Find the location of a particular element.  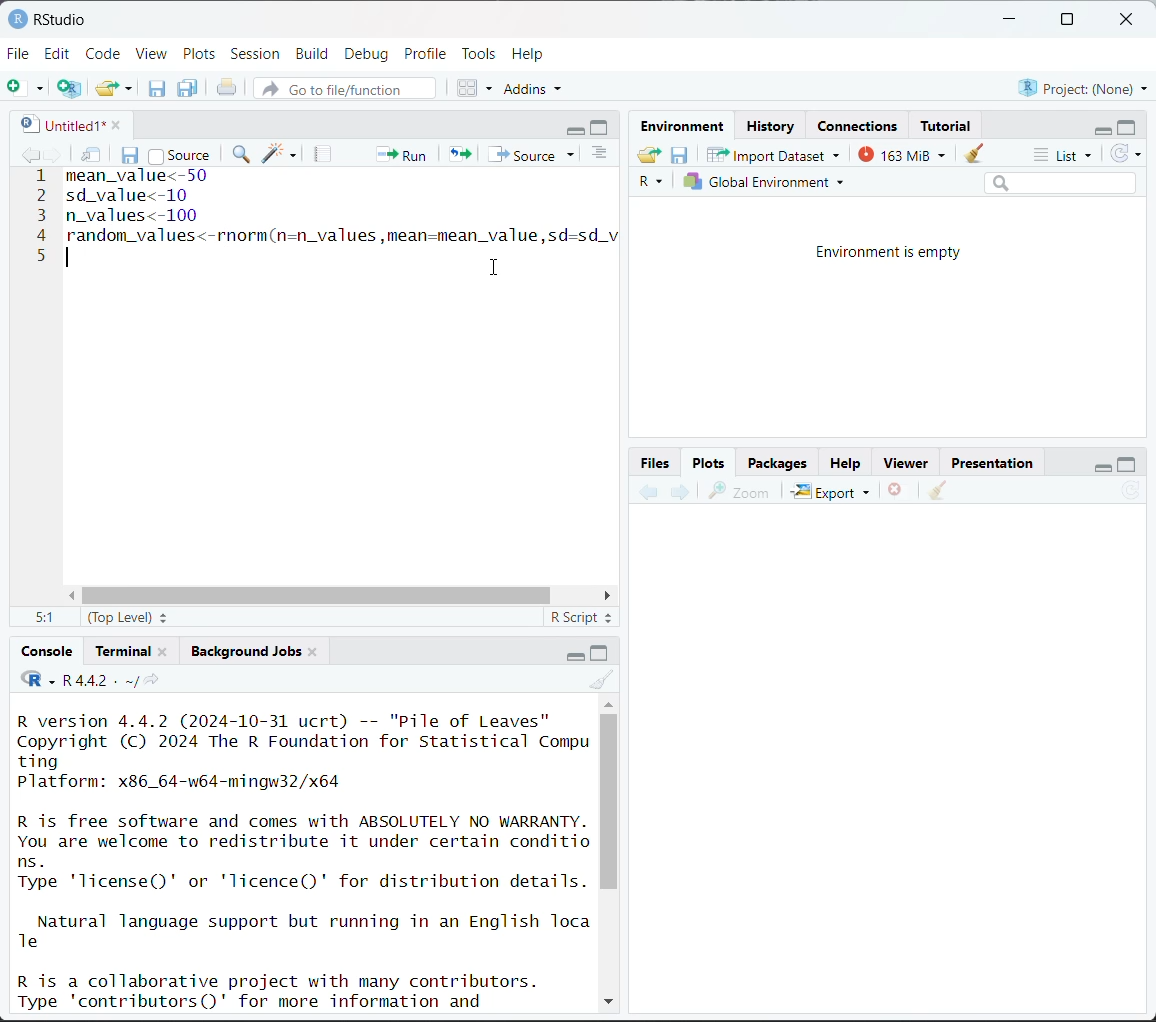

 is located at coordinates (657, 462).